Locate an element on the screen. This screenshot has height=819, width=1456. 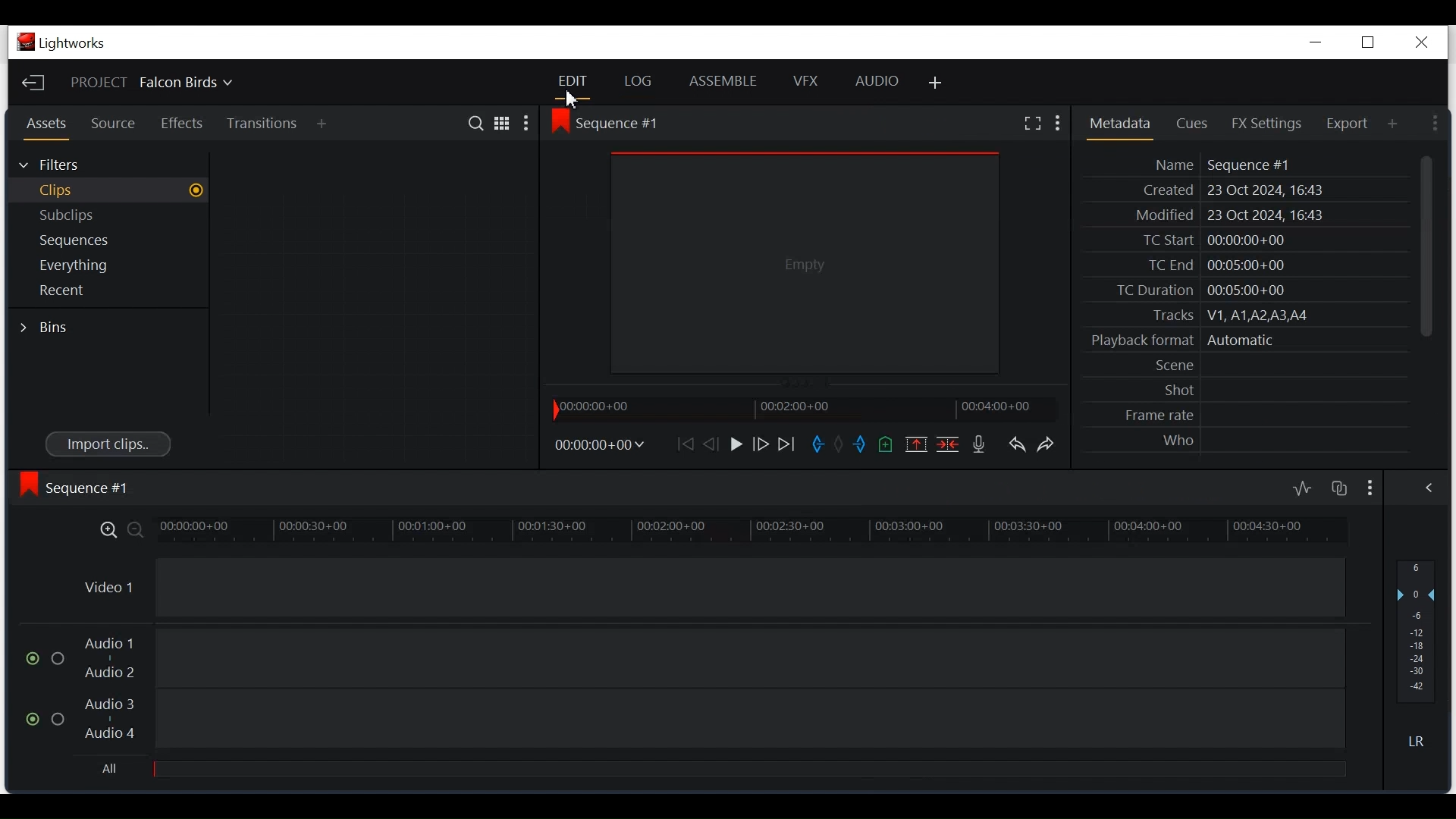
Clip Thumbnail is located at coordinates (371, 303).